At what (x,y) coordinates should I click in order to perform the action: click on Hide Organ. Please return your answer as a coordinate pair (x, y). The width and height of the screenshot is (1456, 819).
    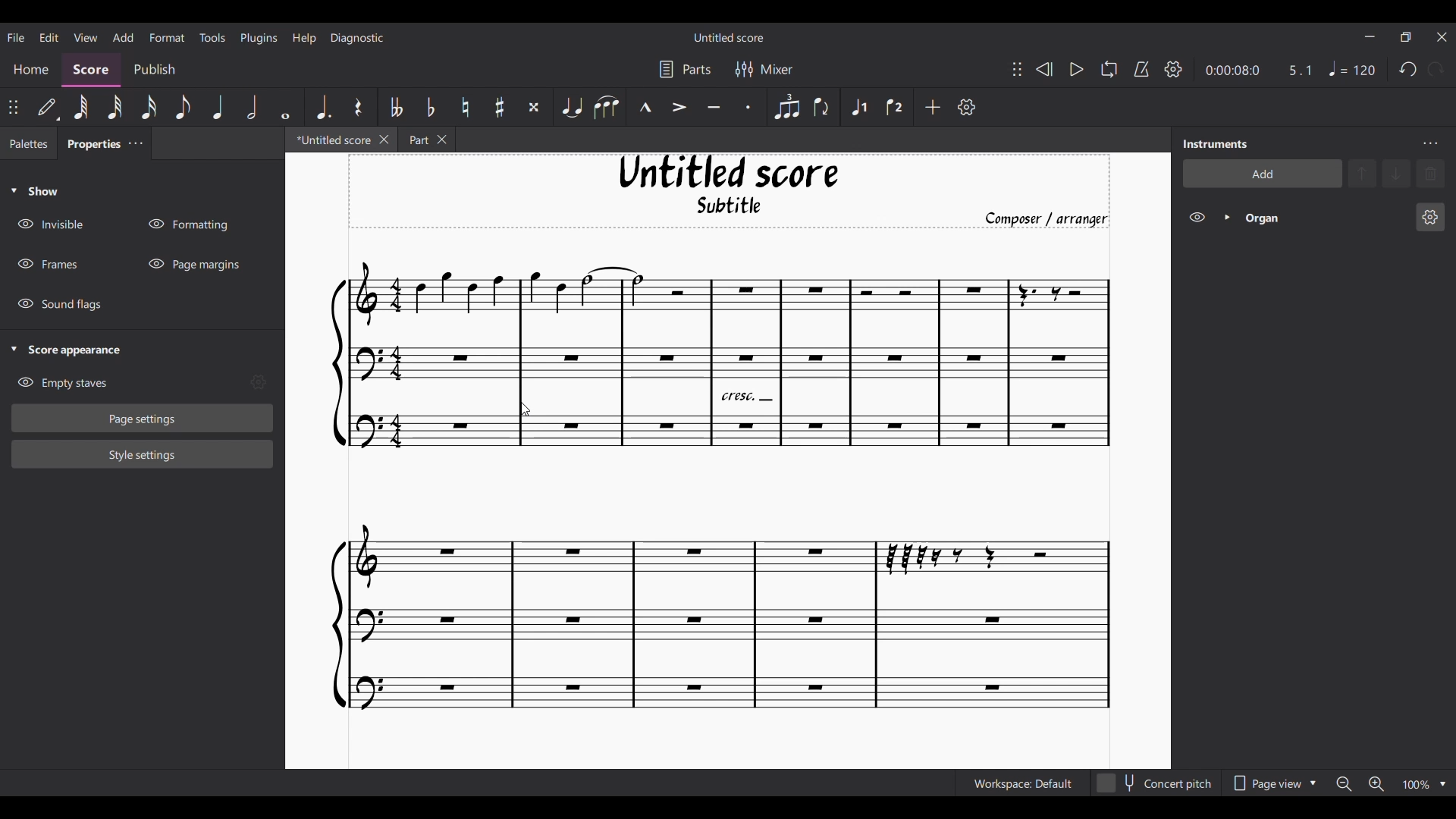
    Looking at the image, I should click on (1197, 217).